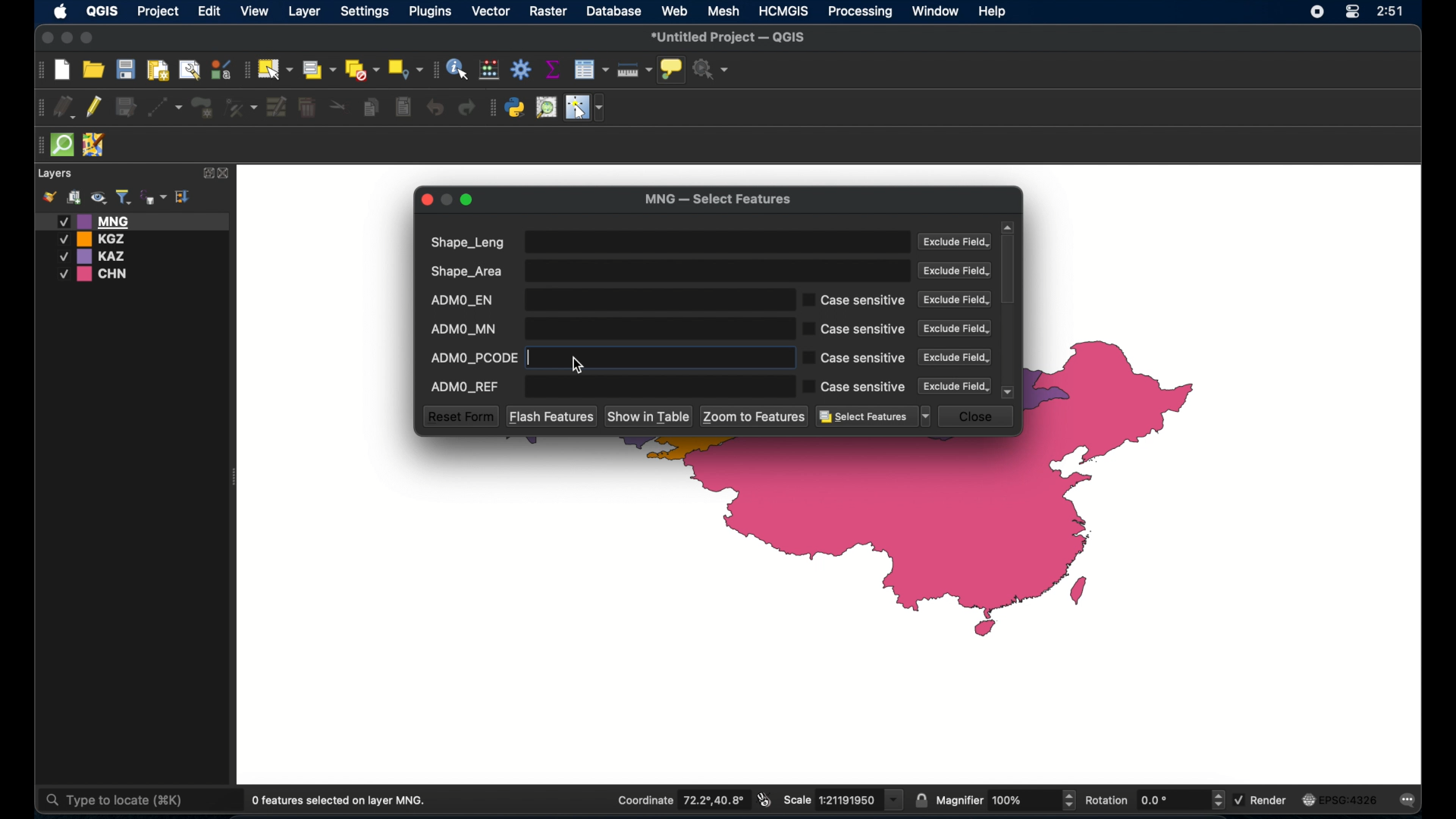  I want to click on processing, so click(861, 12).